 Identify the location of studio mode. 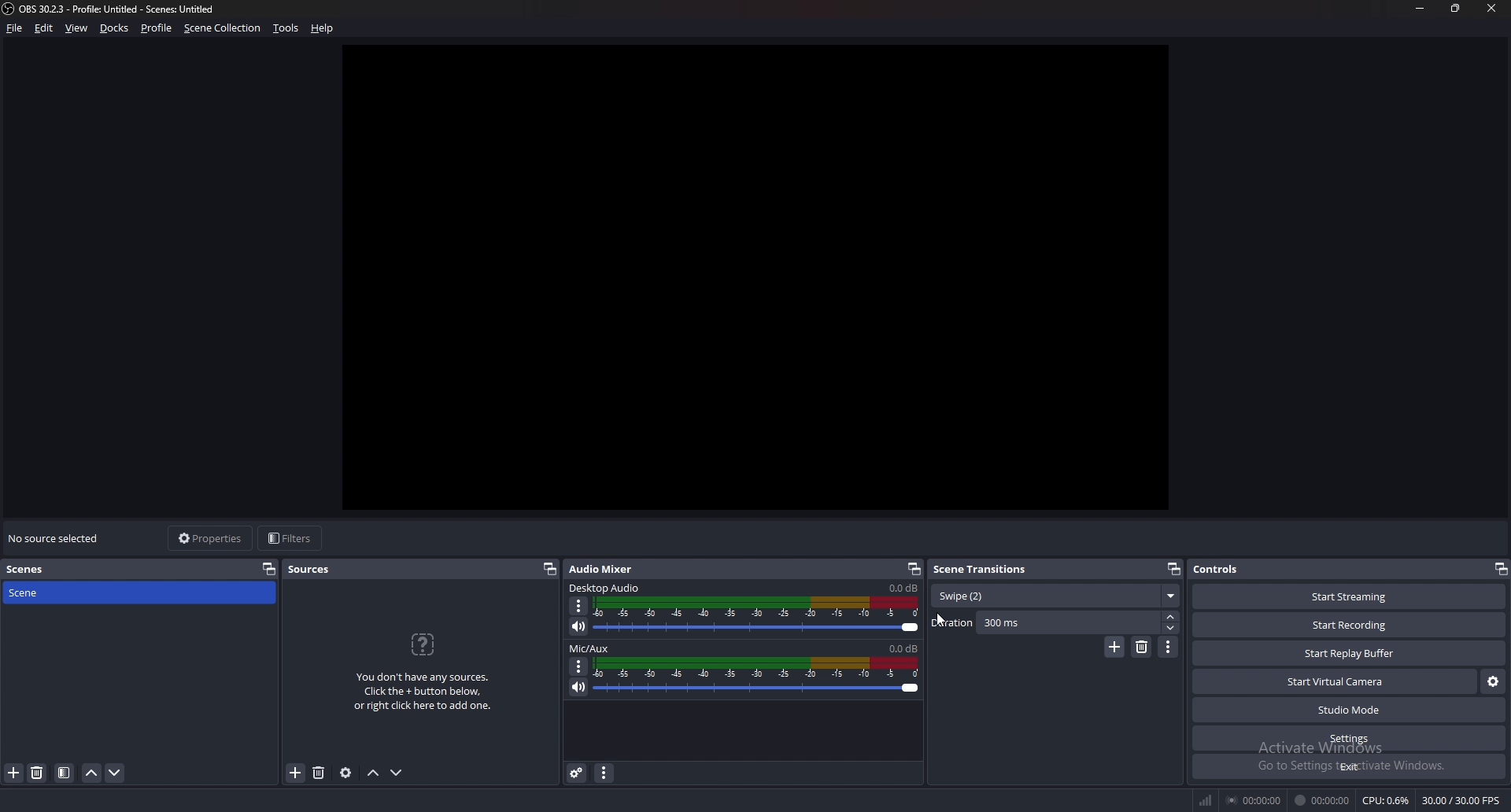
(1347, 710).